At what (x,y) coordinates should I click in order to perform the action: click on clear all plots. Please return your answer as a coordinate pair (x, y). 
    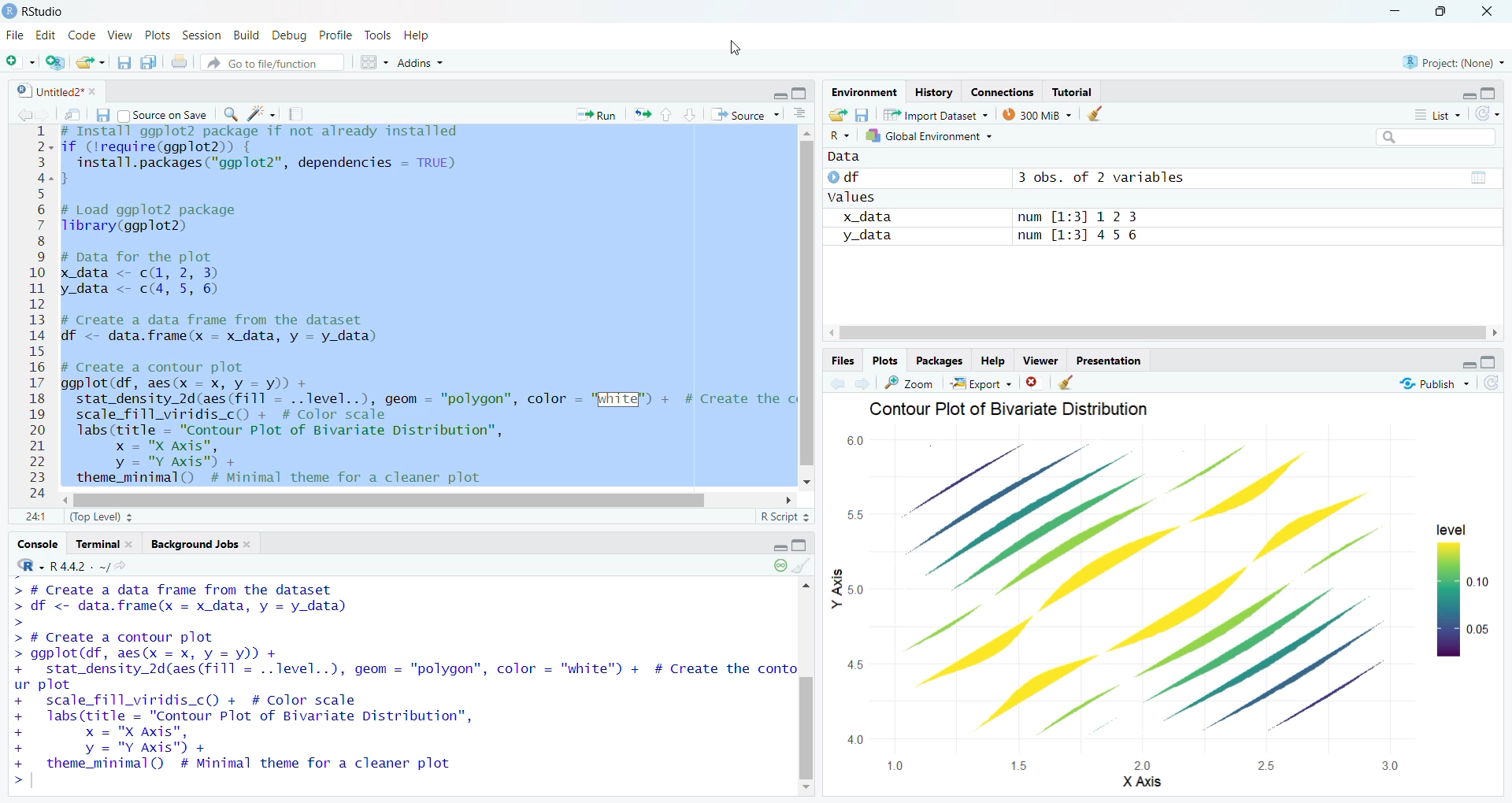
    Looking at the image, I should click on (1069, 383).